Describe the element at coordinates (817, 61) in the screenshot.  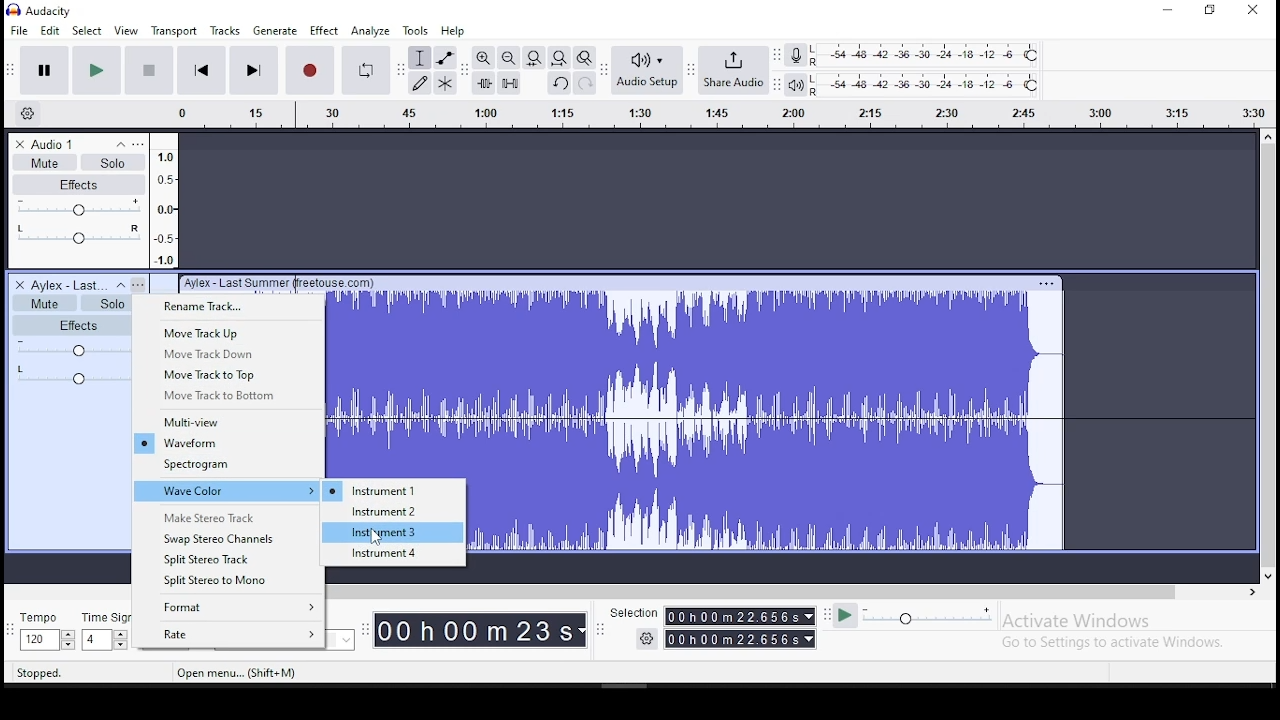
I see `R` at that location.